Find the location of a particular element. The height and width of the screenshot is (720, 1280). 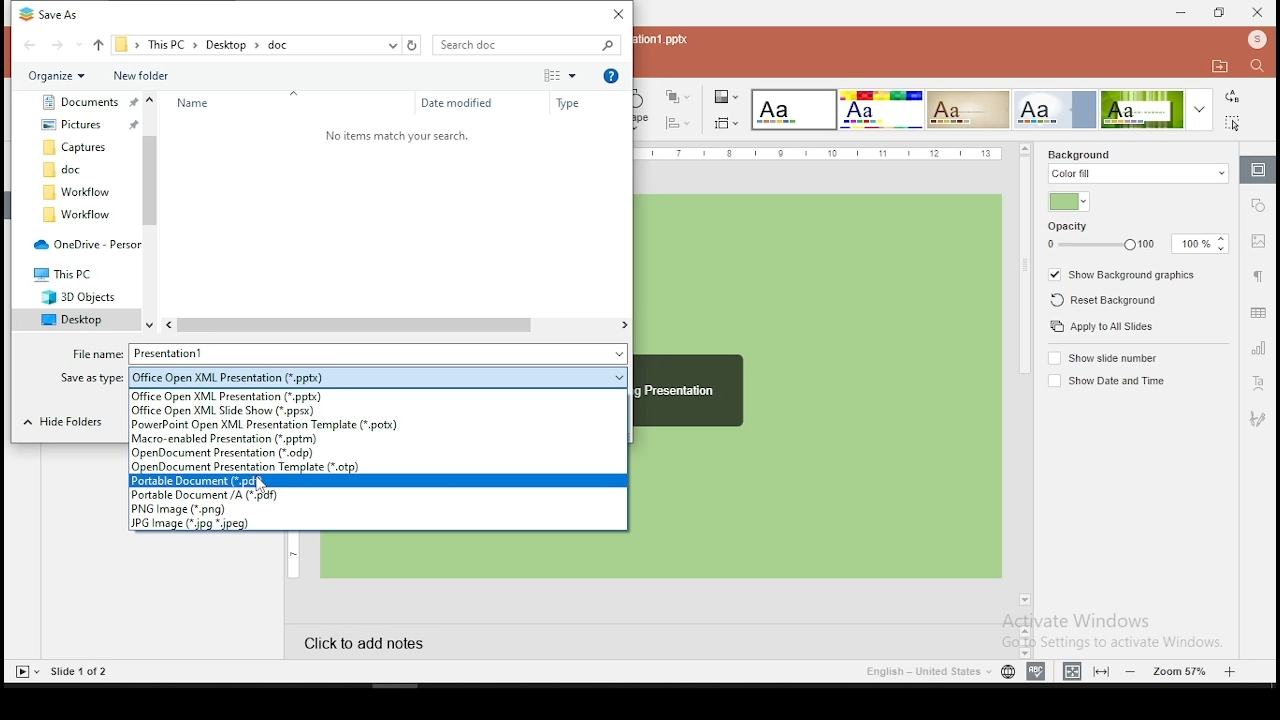

open document presentation is located at coordinates (375, 454).